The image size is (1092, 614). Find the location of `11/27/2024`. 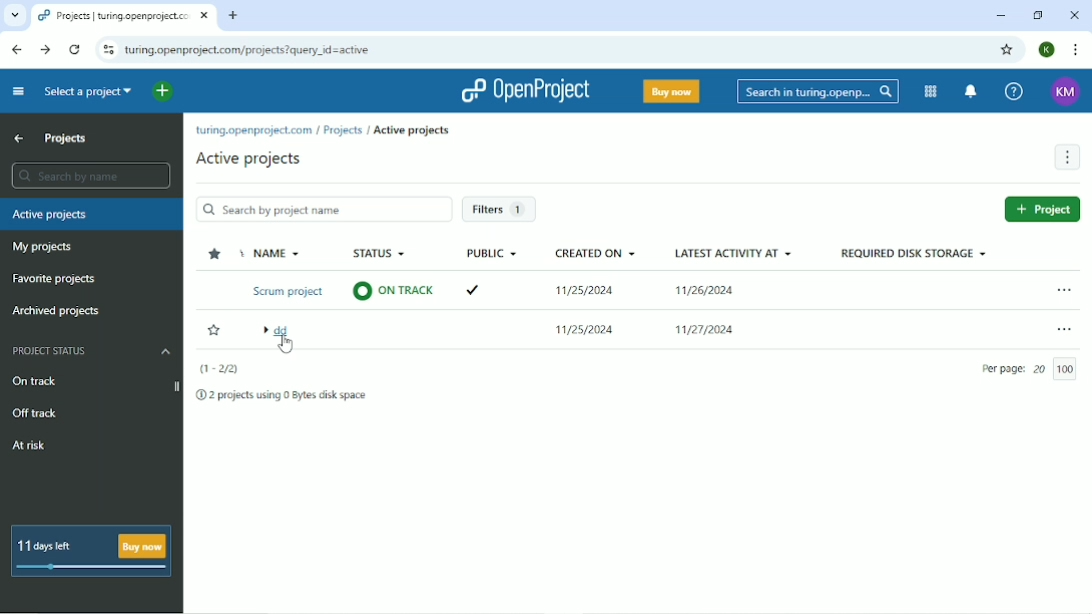

11/27/2024 is located at coordinates (718, 335).